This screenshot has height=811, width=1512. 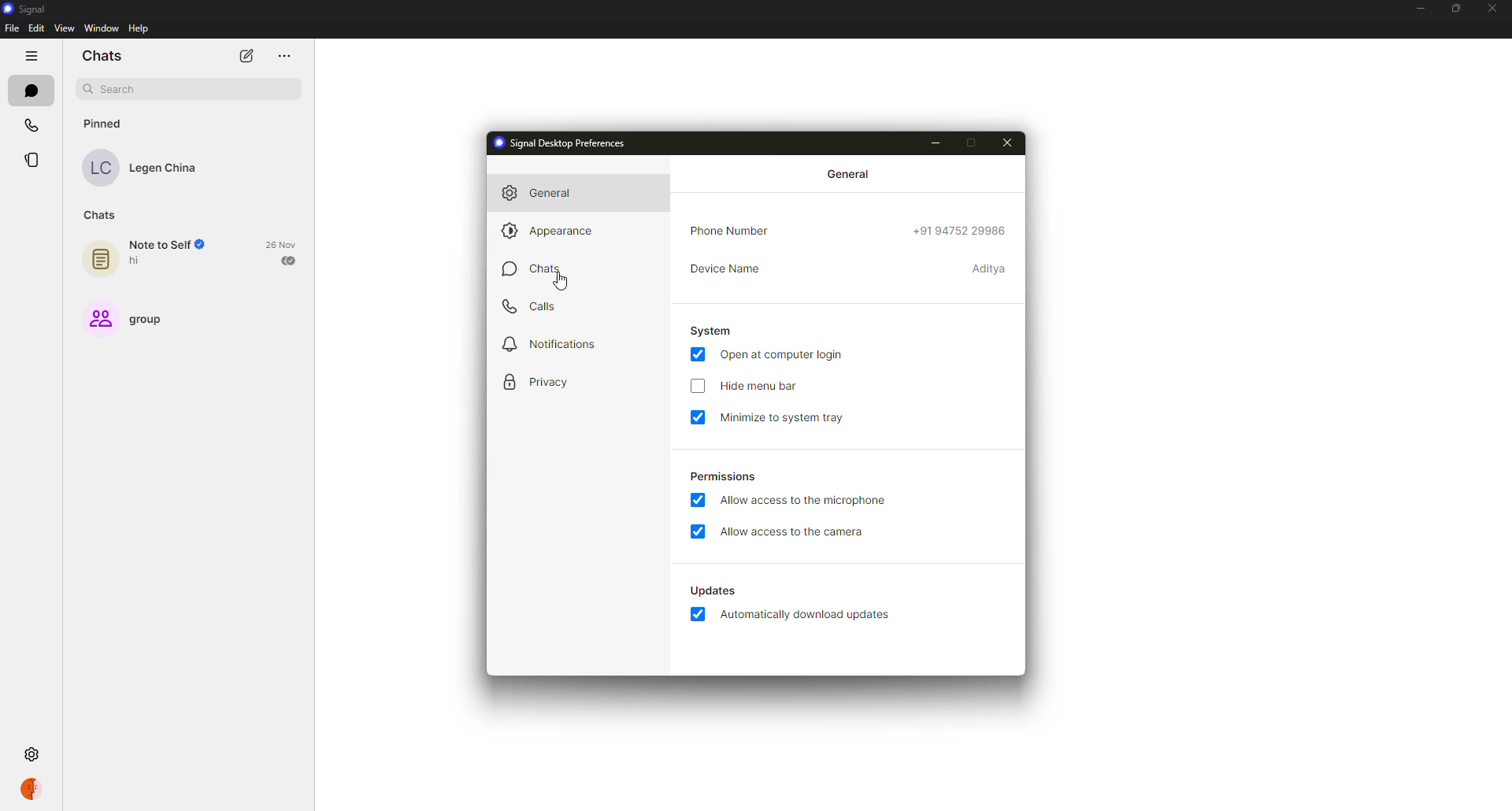 I want to click on allow access to microphone, so click(x=806, y=502).